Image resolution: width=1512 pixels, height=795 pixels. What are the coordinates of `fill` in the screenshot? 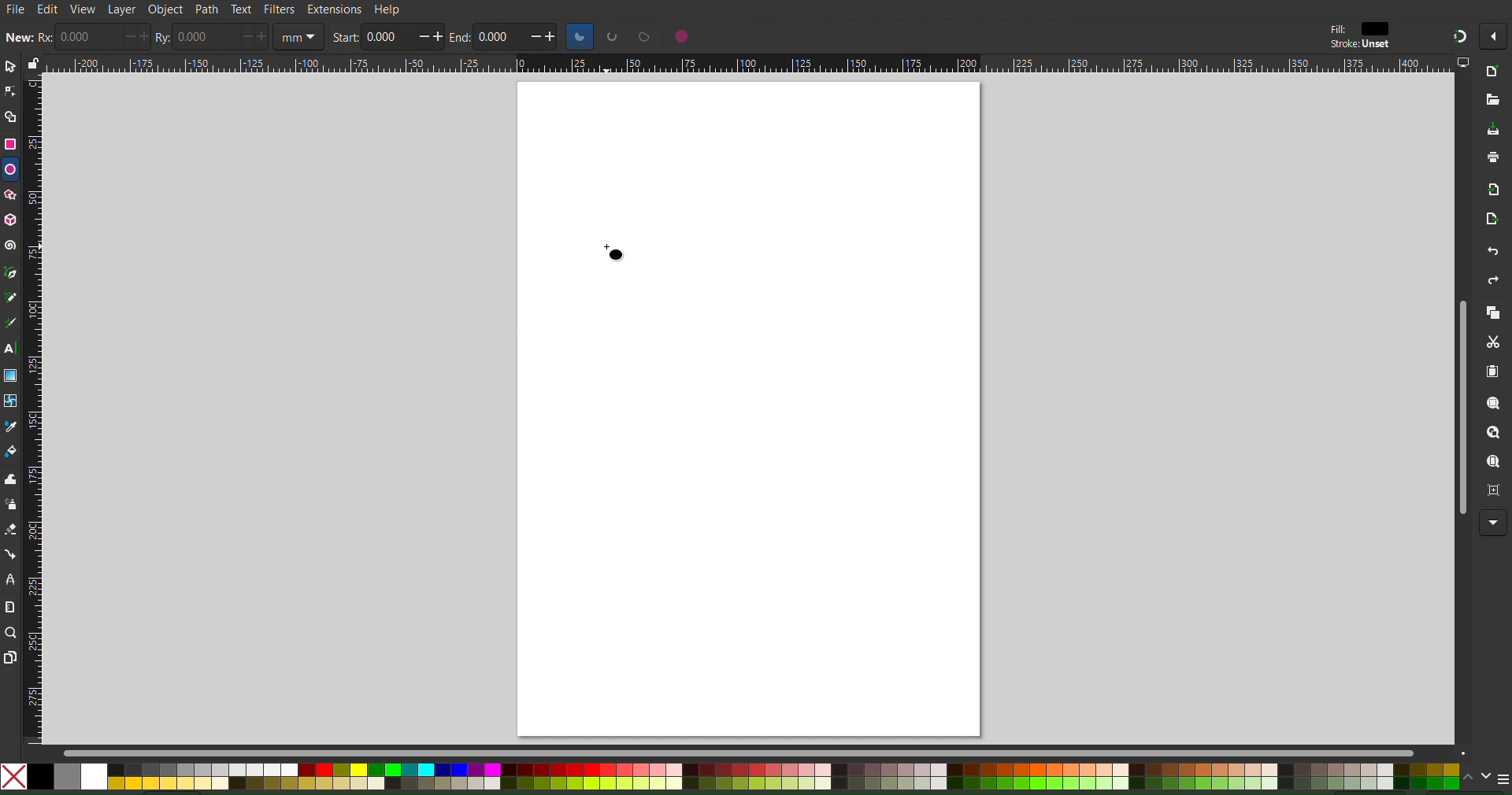 It's located at (1332, 29).